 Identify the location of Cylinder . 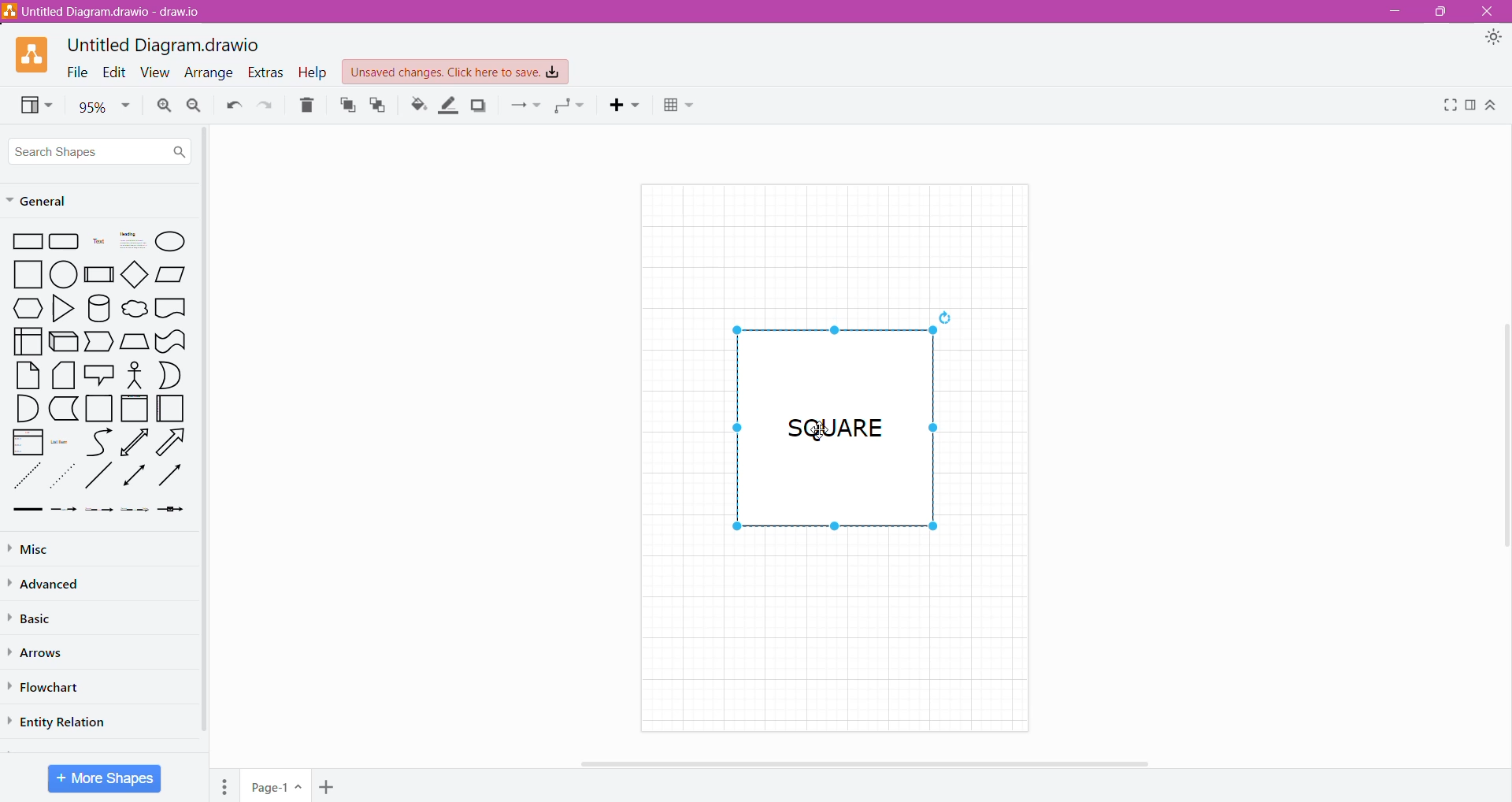
(98, 307).